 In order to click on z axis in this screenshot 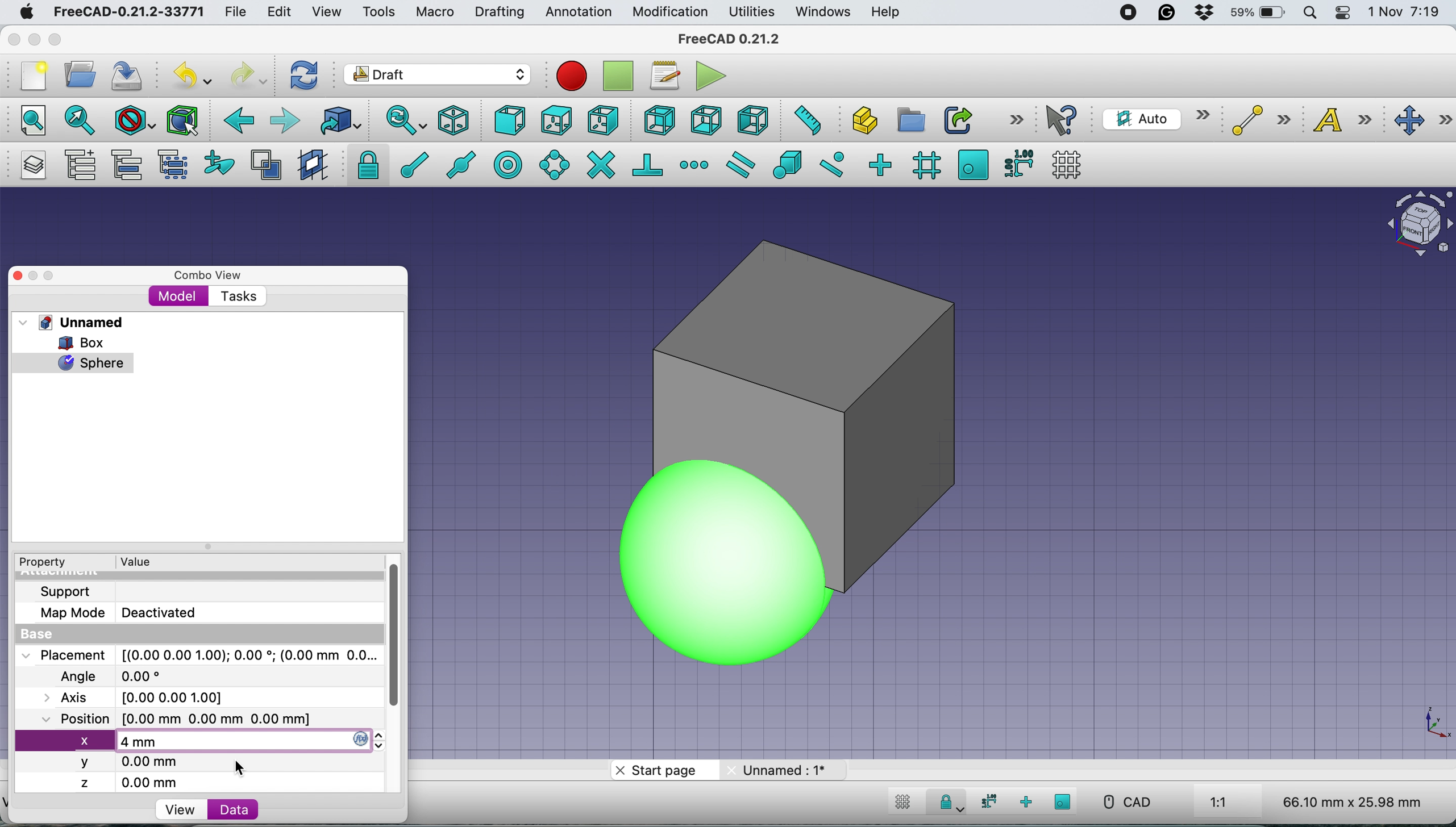, I will do `click(136, 783)`.